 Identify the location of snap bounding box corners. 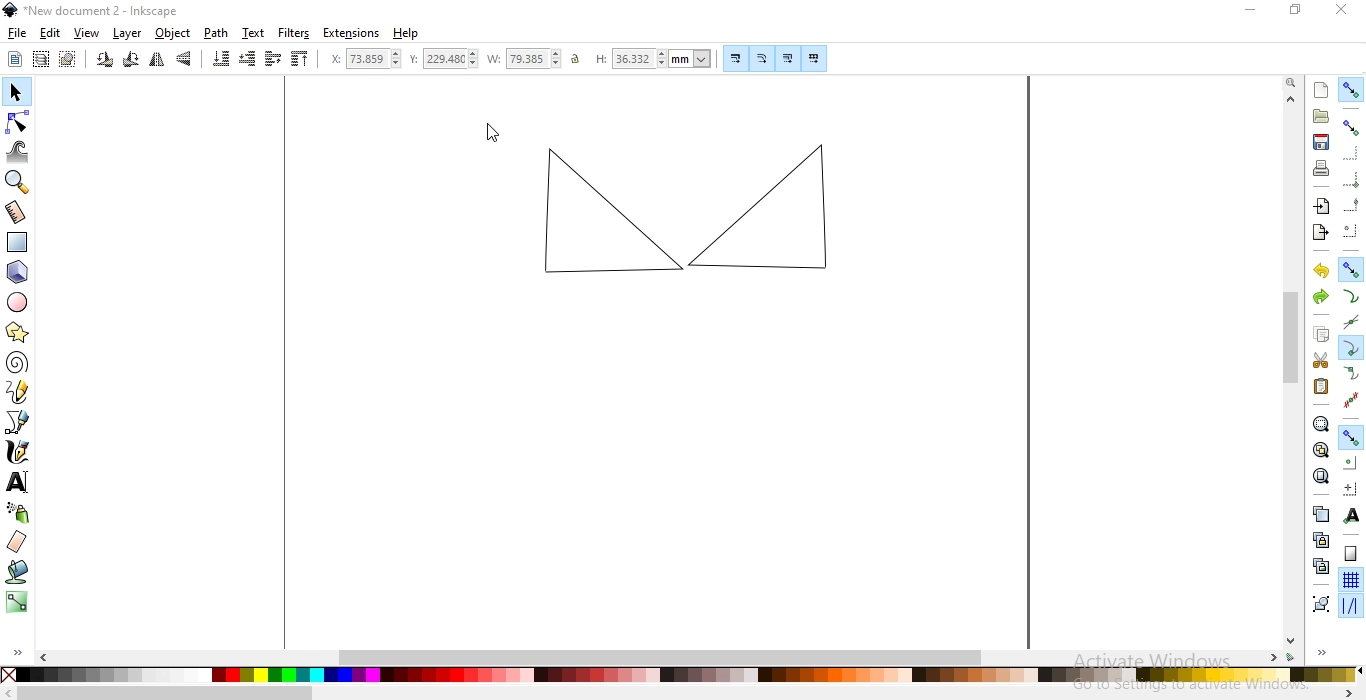
(1352, 177).